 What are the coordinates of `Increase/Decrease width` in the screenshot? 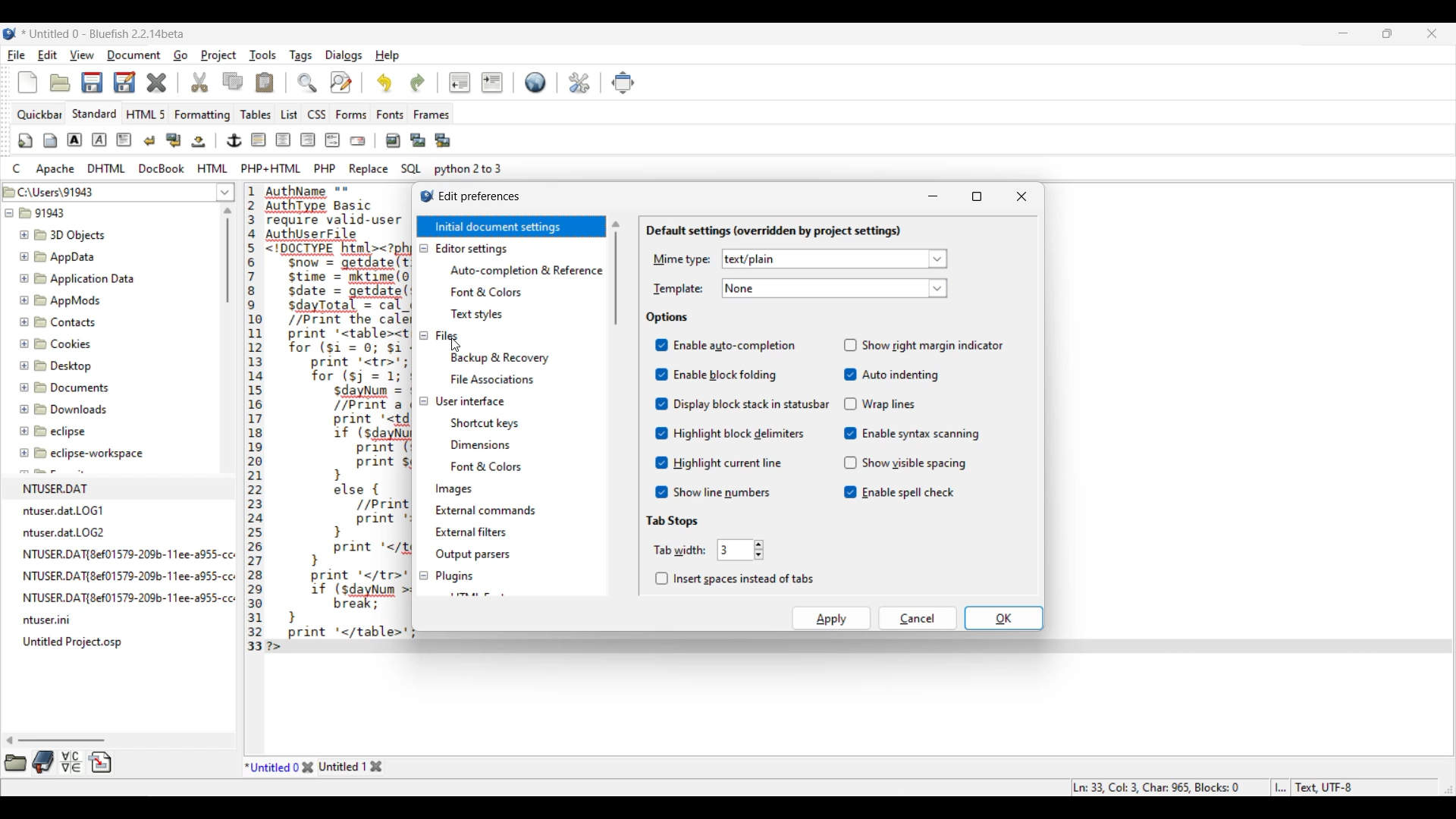 It's located at (759, 550).